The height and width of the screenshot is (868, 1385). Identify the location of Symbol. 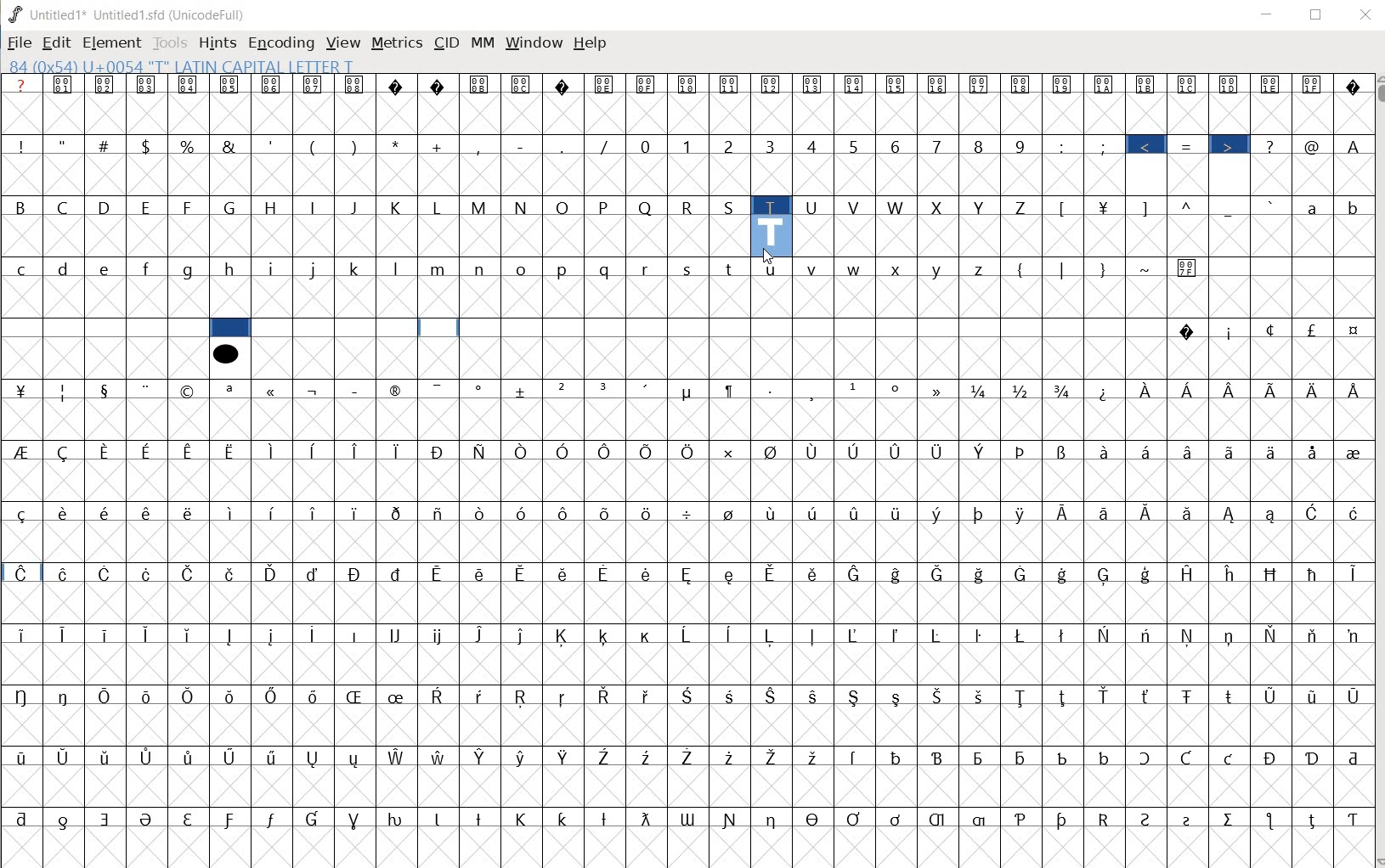
(1189, 451).